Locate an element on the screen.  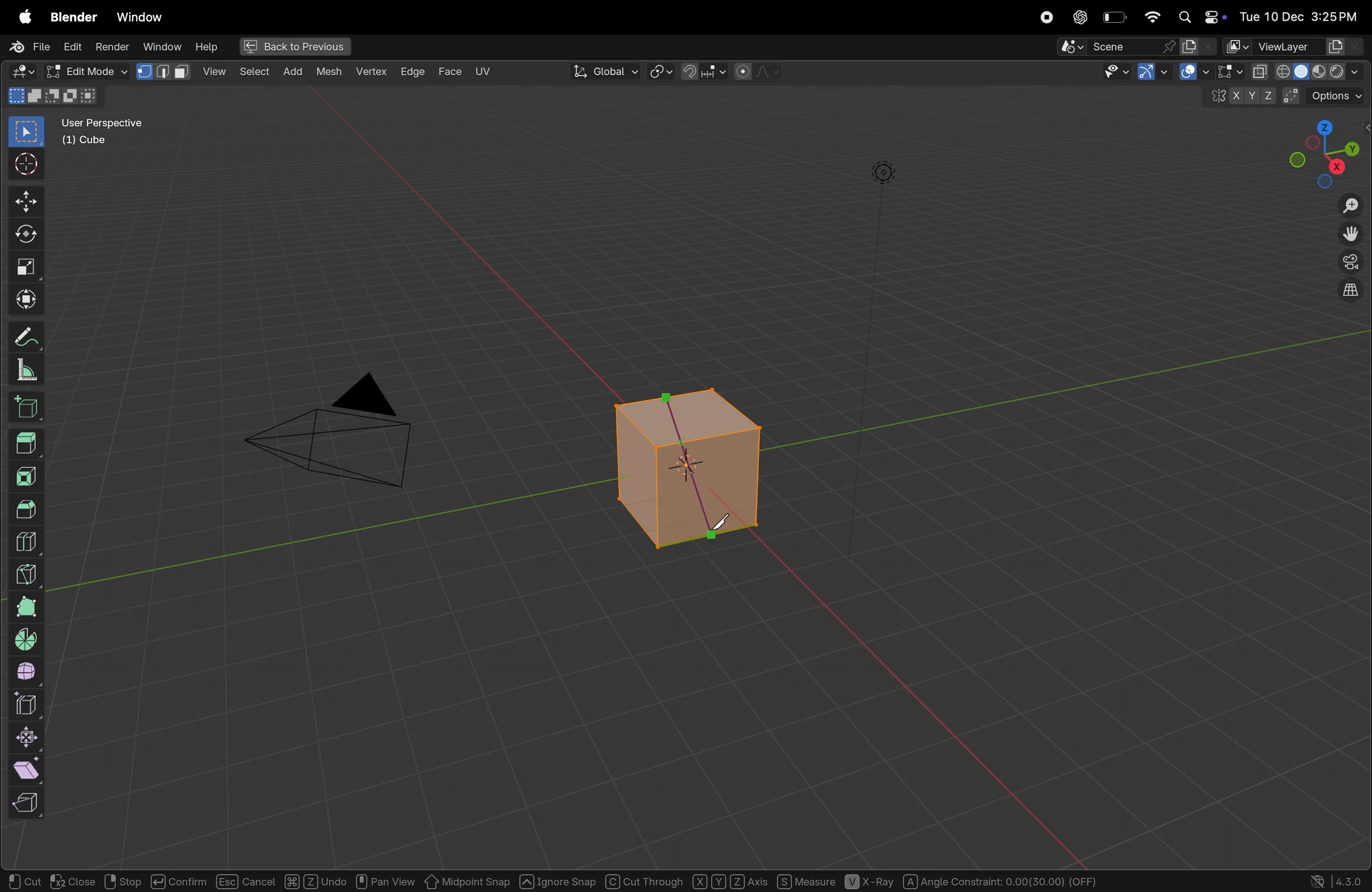
View port shading is located at coordinates (1307, 71).